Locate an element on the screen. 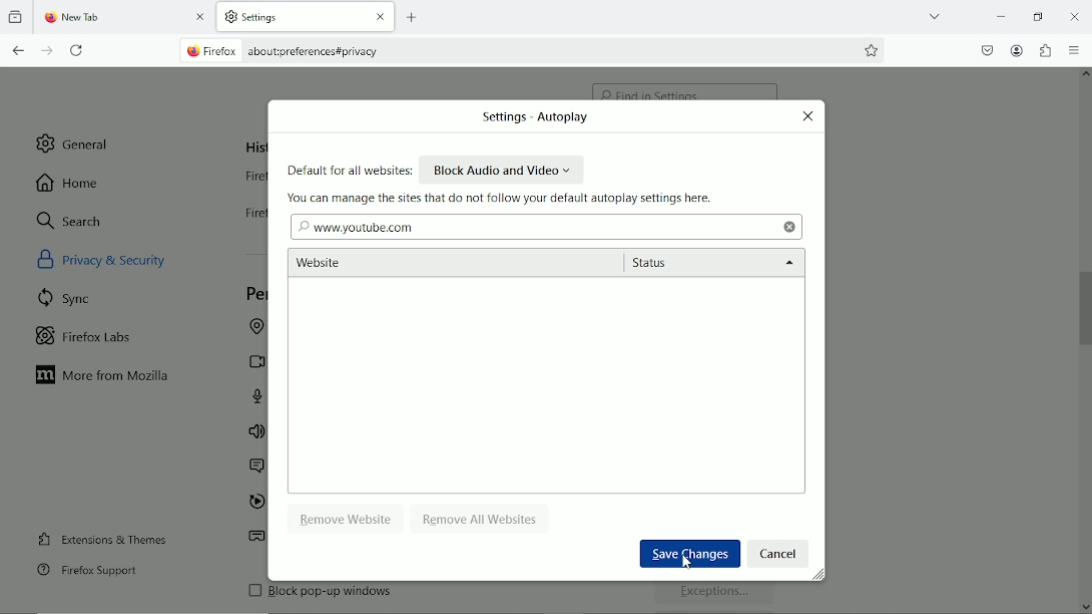 Image resolution: width=1092 pixels, height=614 pixels. vertical scroll bar is located at coordinates (1085, 305).